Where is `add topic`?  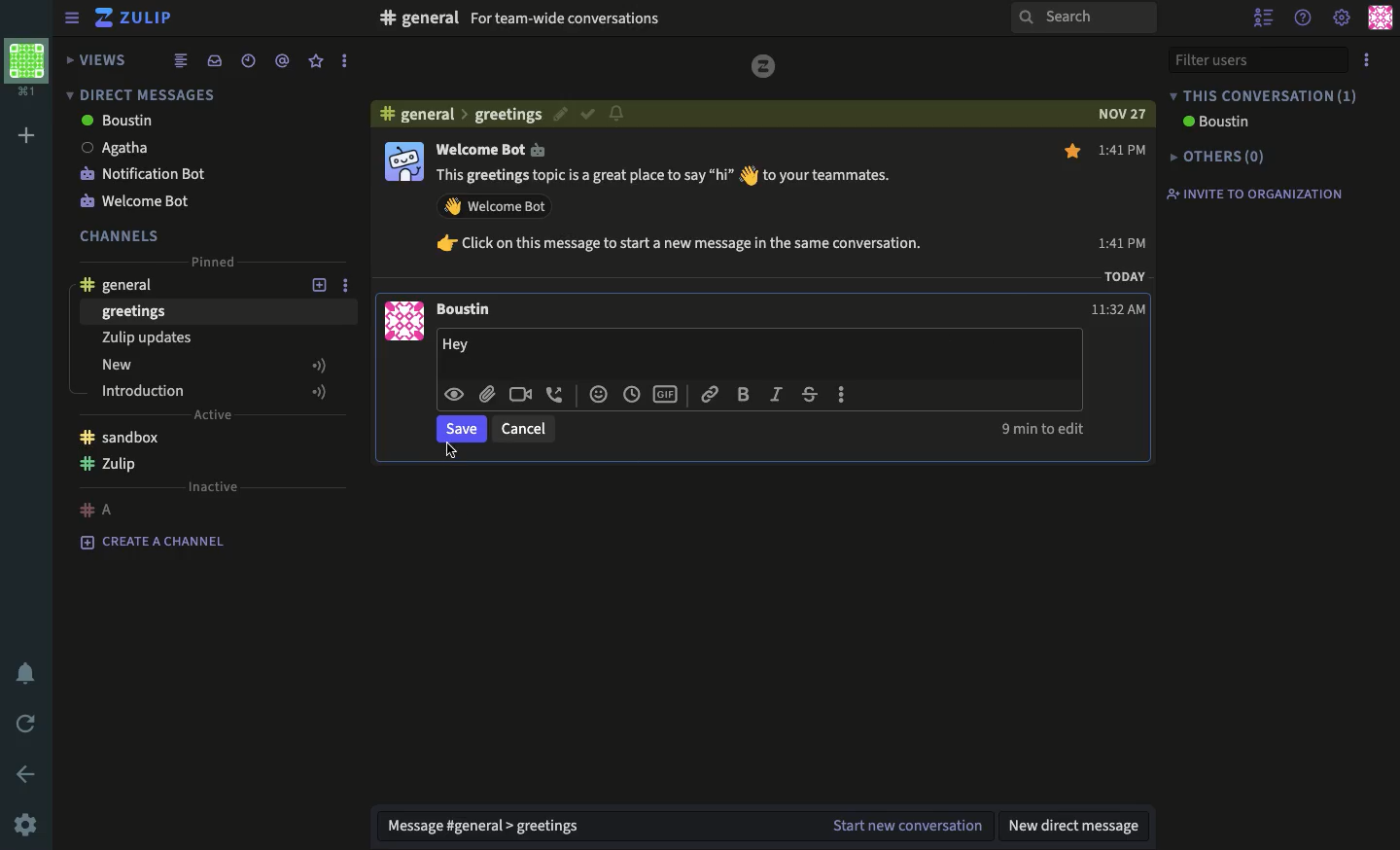 add topic is located at coordinates (308, 283).